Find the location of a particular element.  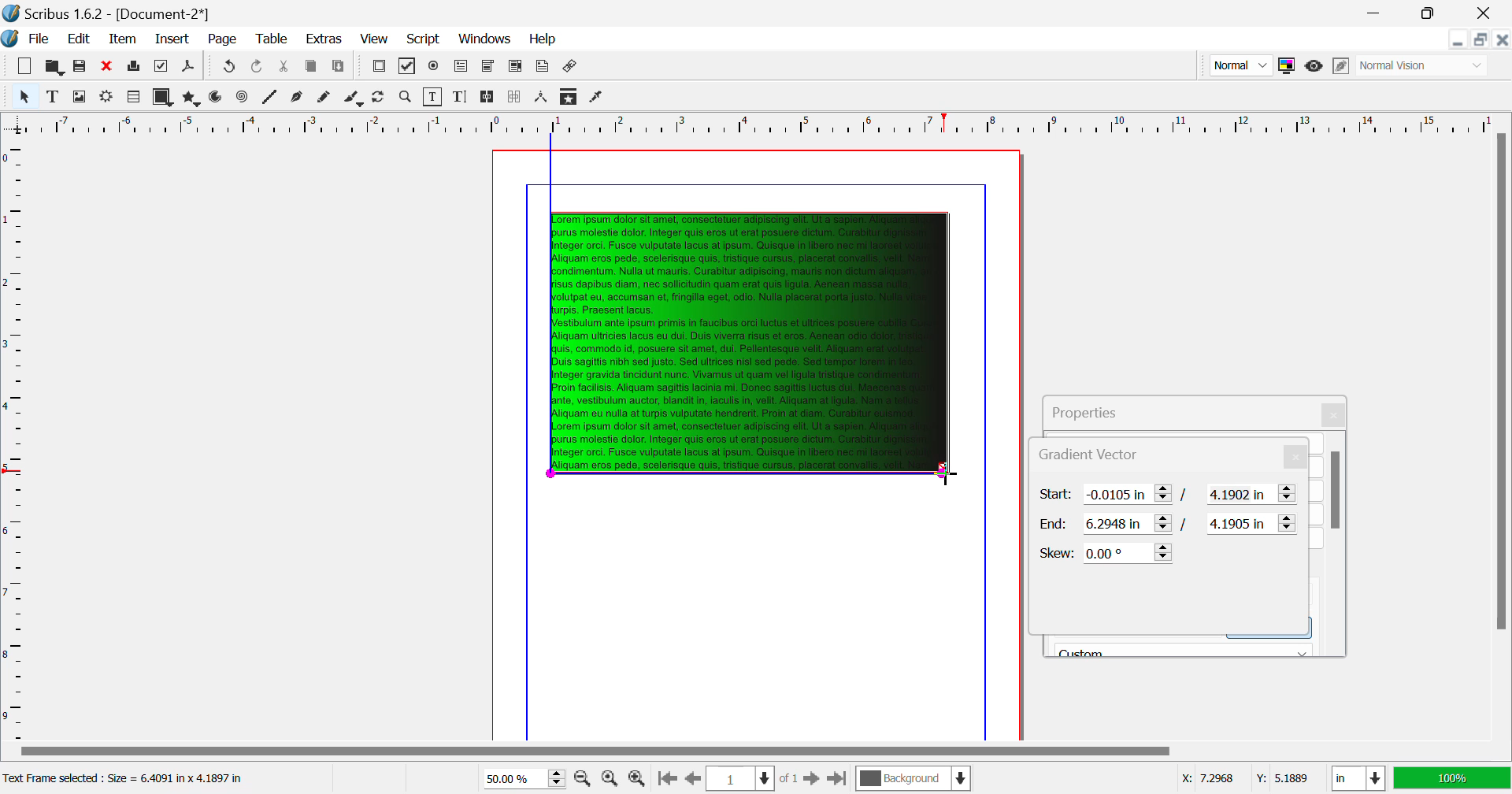

Redo is located at coordinates (227, 68).